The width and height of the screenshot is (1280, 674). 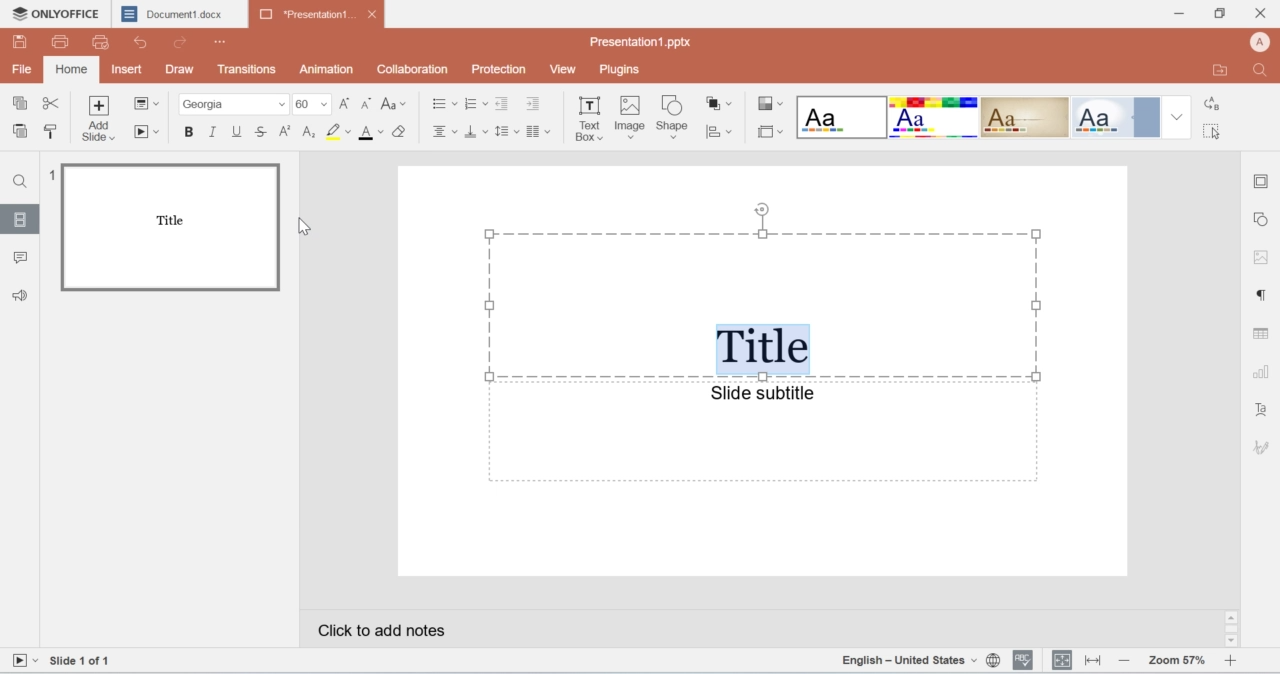 What do you see at coordinates (1124, 662) in the screenshot?
I see `decrease` at bounding box center [1124, 662].